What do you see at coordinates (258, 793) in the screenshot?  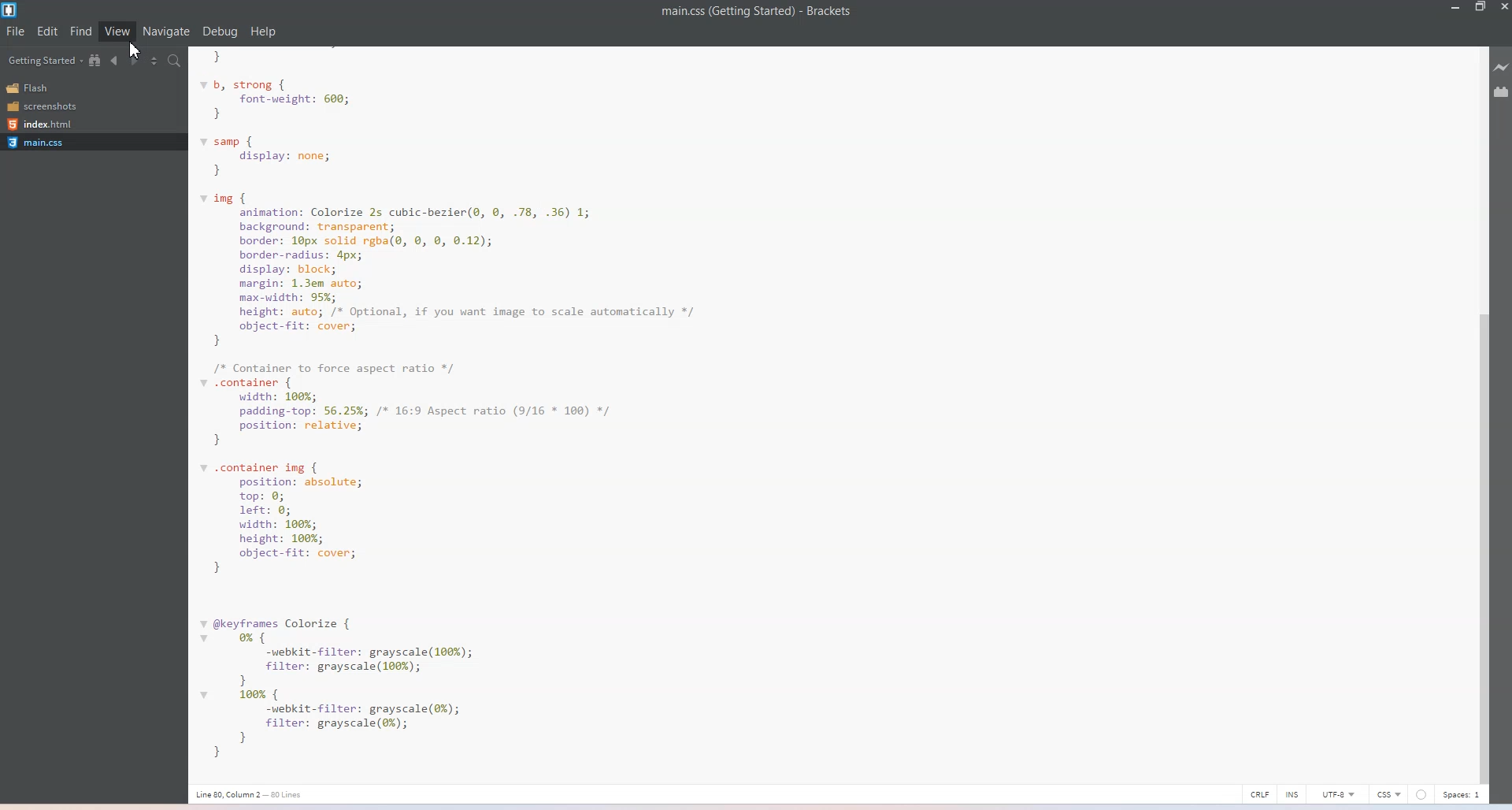 I see `Text 3` at bounding box center [258, 793].